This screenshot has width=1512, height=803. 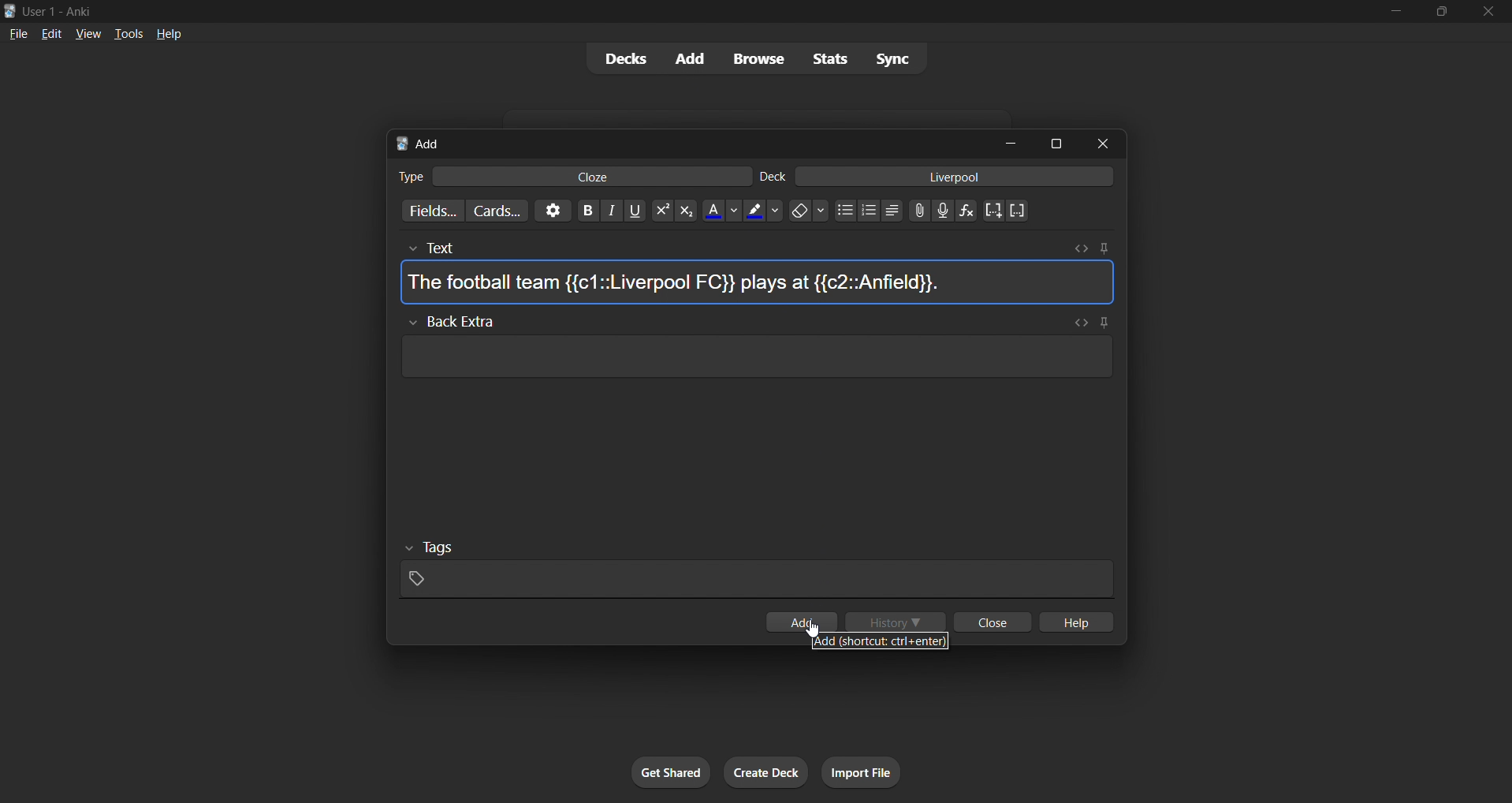 What do you see at coordinates (1490, 13) in the screenshot?
I see `close` at bounding box center [1490, 13].